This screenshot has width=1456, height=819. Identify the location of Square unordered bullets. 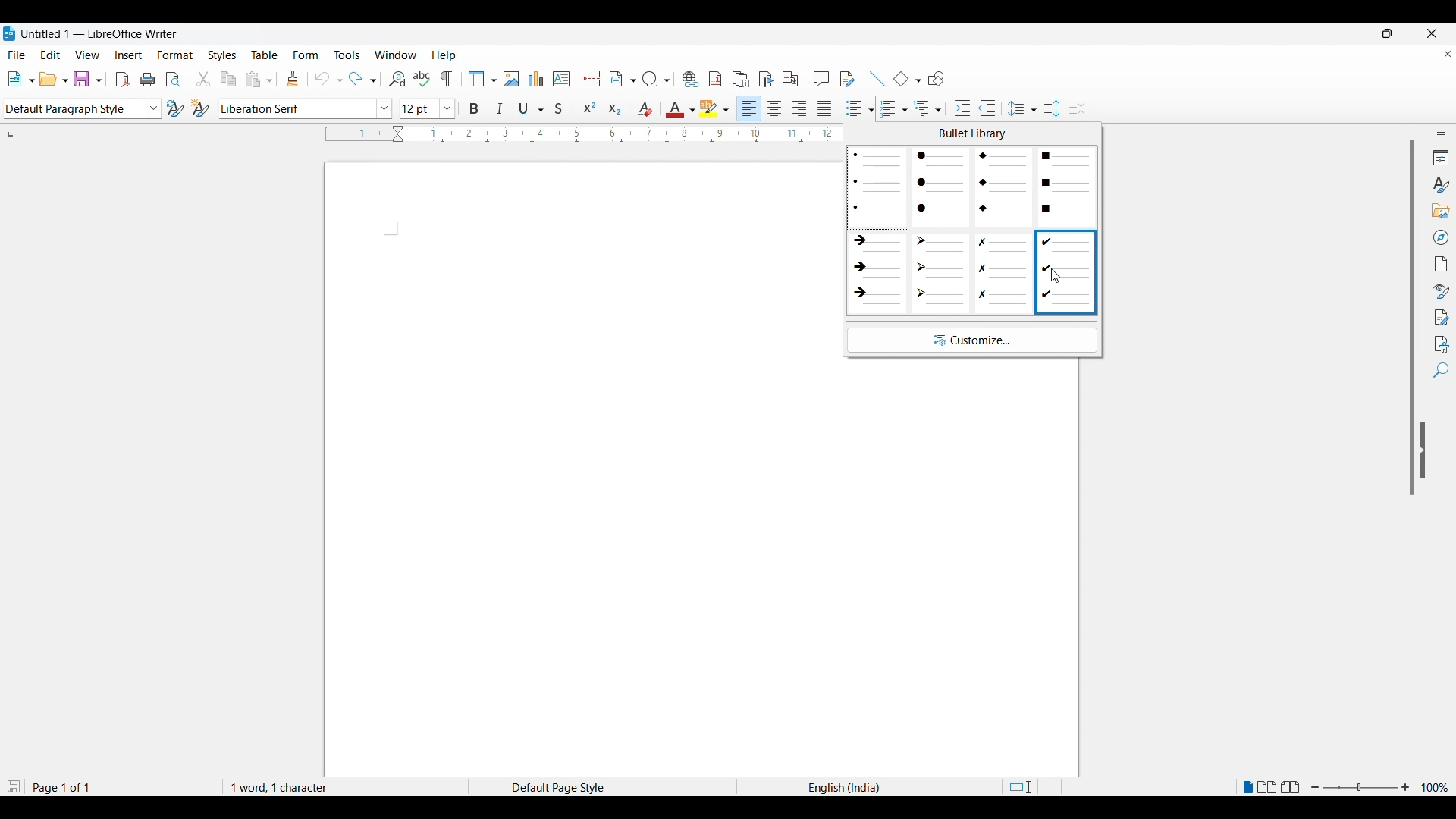
(1066, 187).